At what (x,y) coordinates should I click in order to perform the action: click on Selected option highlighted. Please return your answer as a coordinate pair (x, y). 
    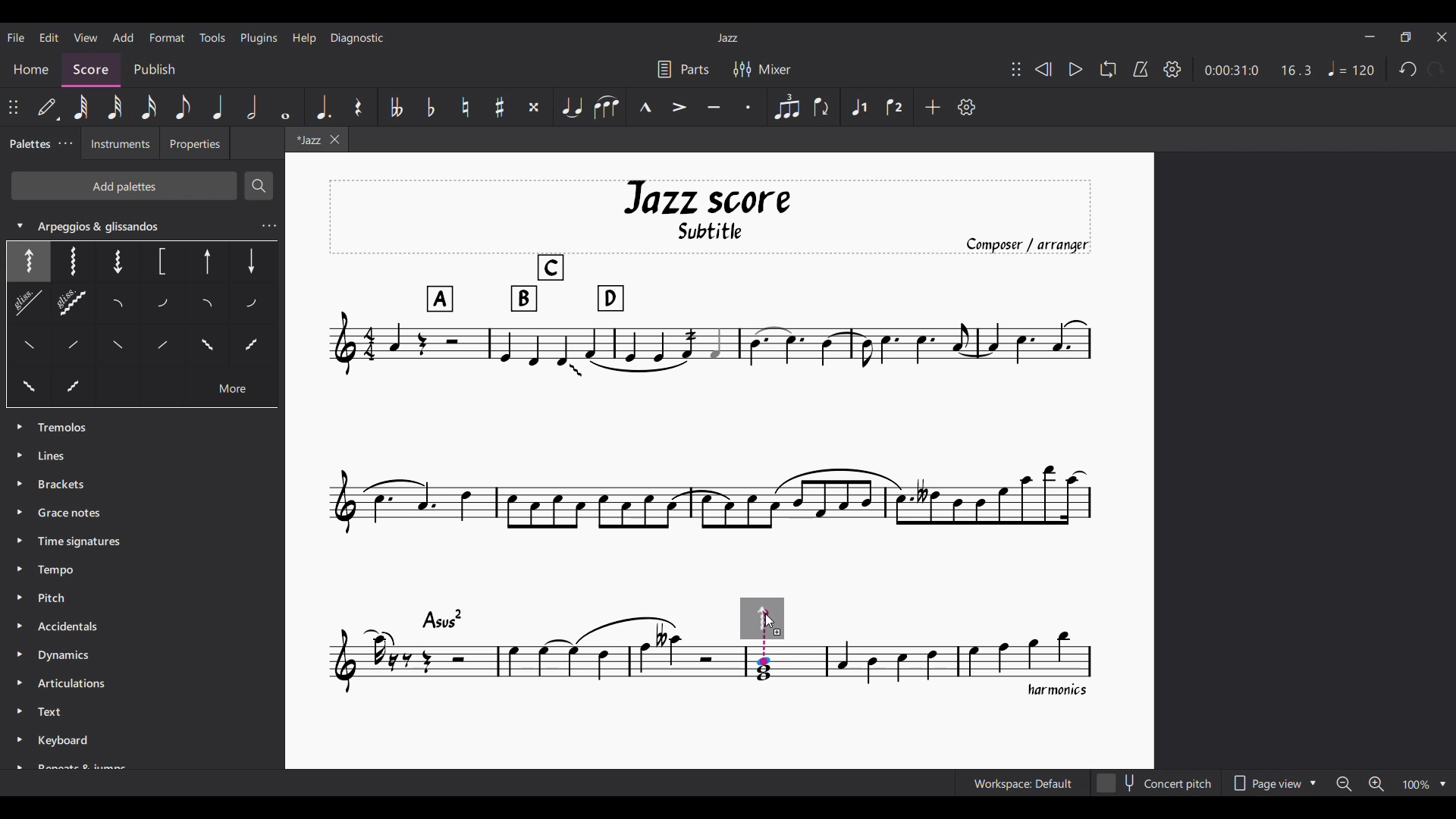
    Looking at the image, I should click on (22, 262).